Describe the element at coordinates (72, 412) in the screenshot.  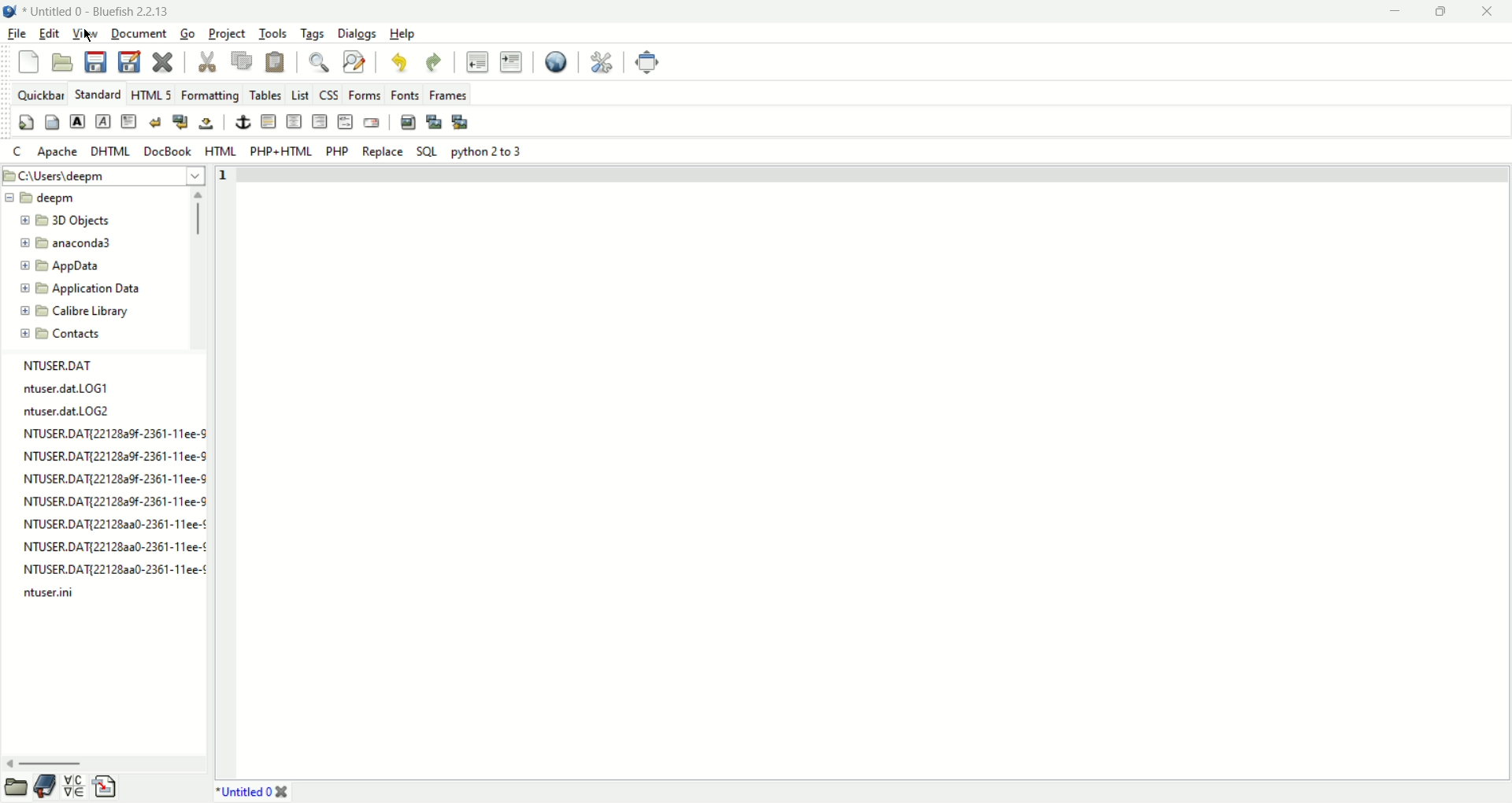
I see `ntuser.dat.LOG2` at that location.